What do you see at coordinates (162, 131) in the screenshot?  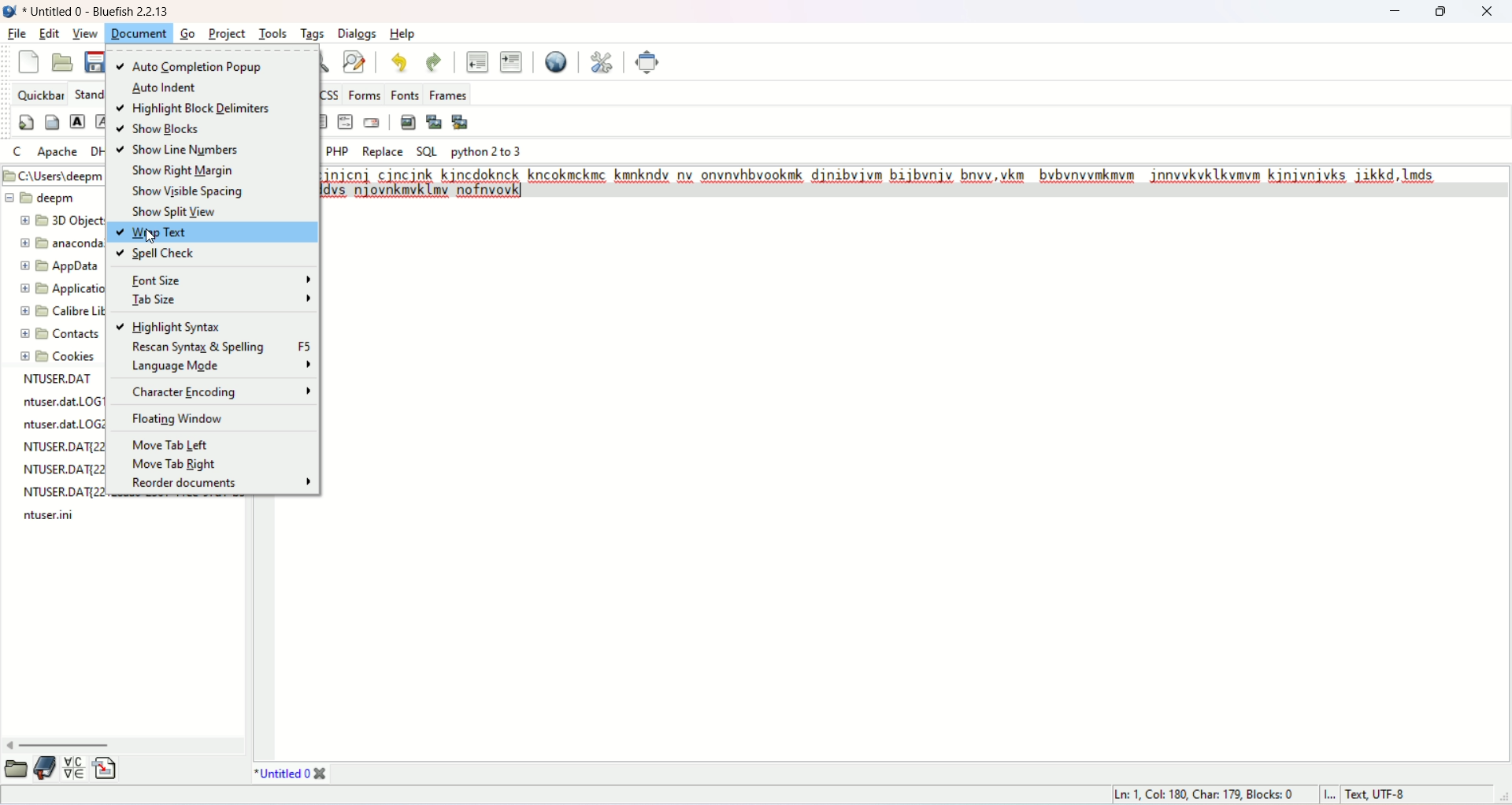 I see `show blocks` at bounding box center [162, 131].